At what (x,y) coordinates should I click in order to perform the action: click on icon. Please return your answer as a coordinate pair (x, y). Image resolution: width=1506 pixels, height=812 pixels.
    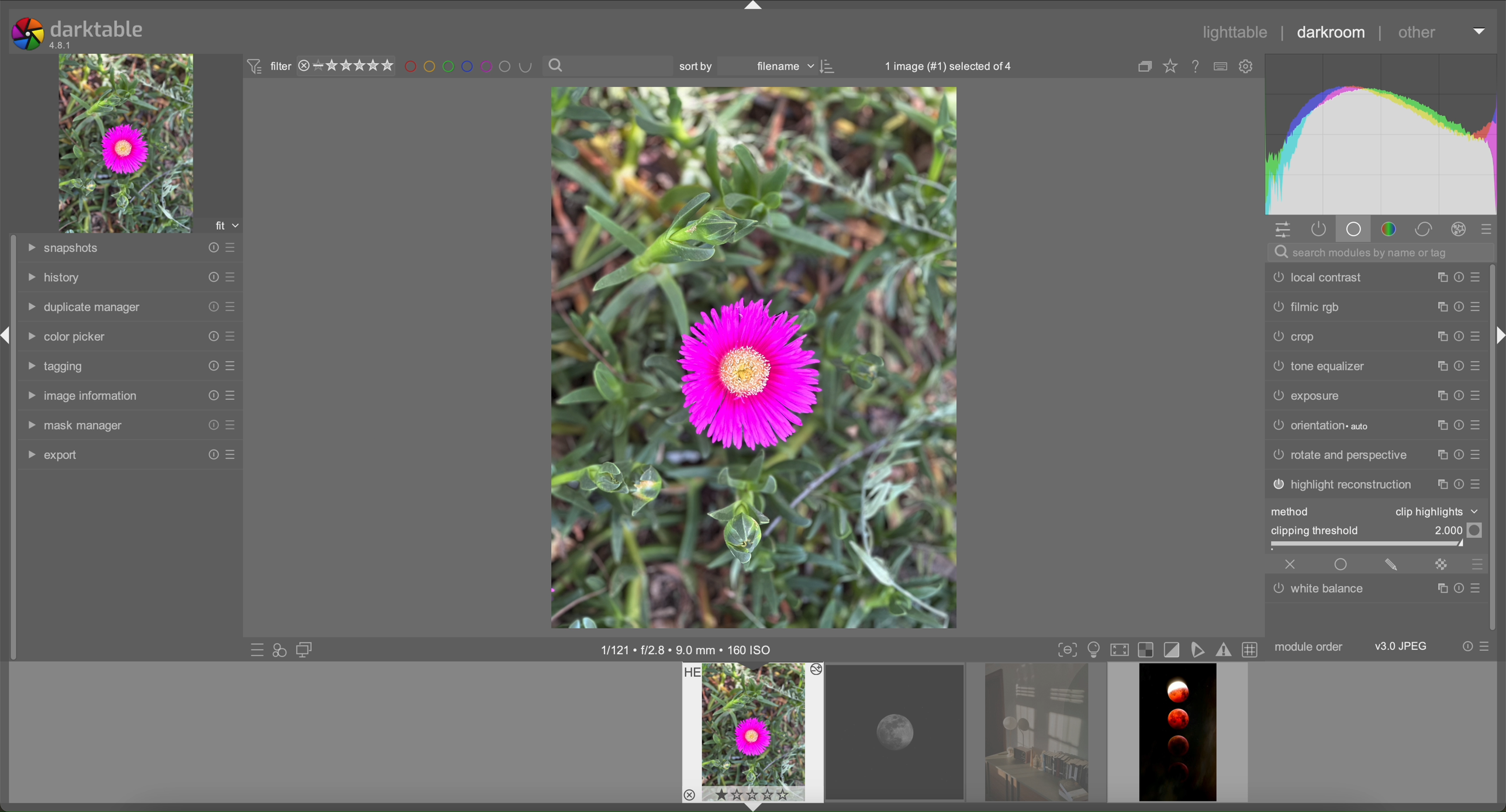
    Looking at the image, I should click on (830, 67).